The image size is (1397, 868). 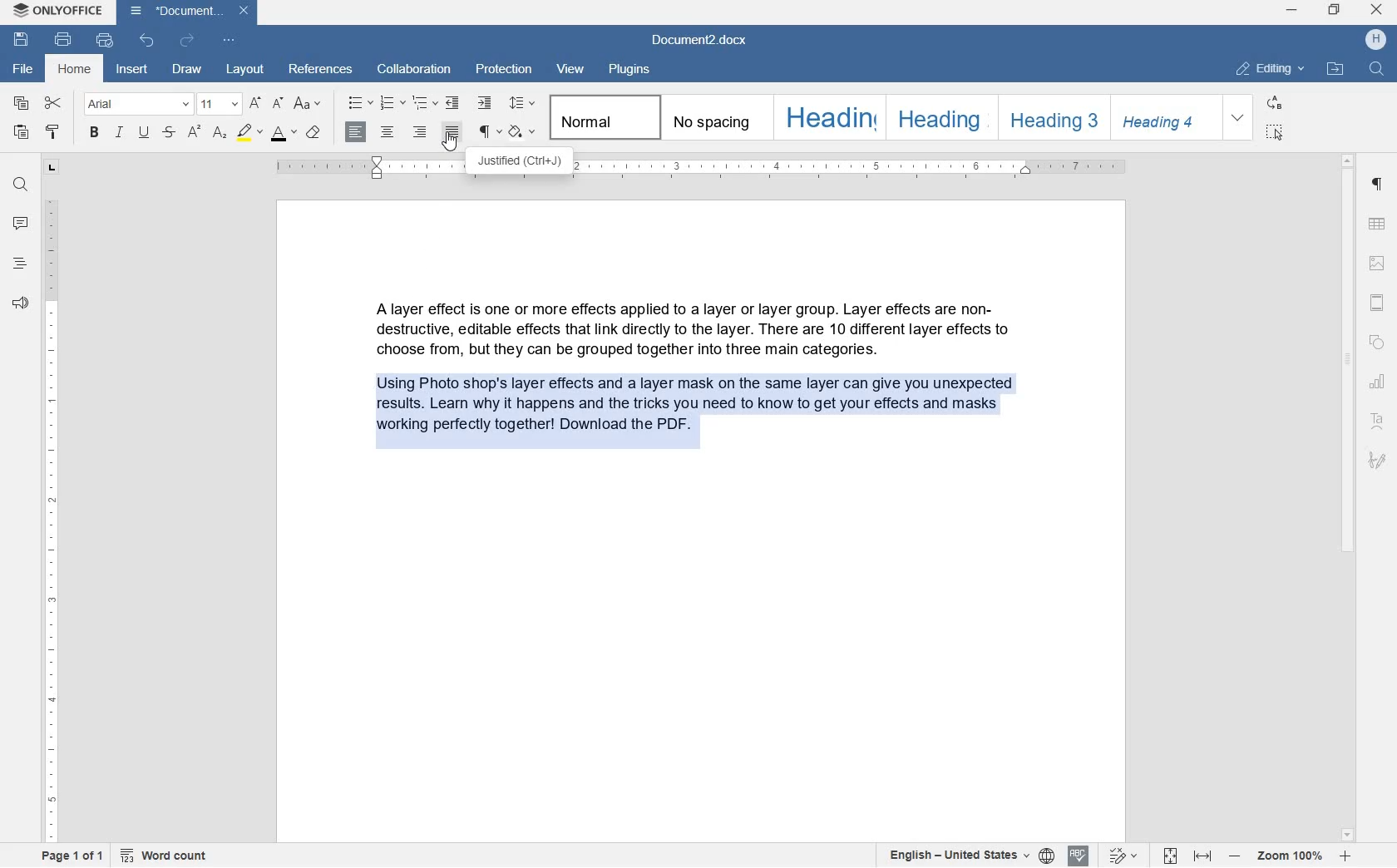 I want to click on PLUGINS, so click(x=629, y=70).